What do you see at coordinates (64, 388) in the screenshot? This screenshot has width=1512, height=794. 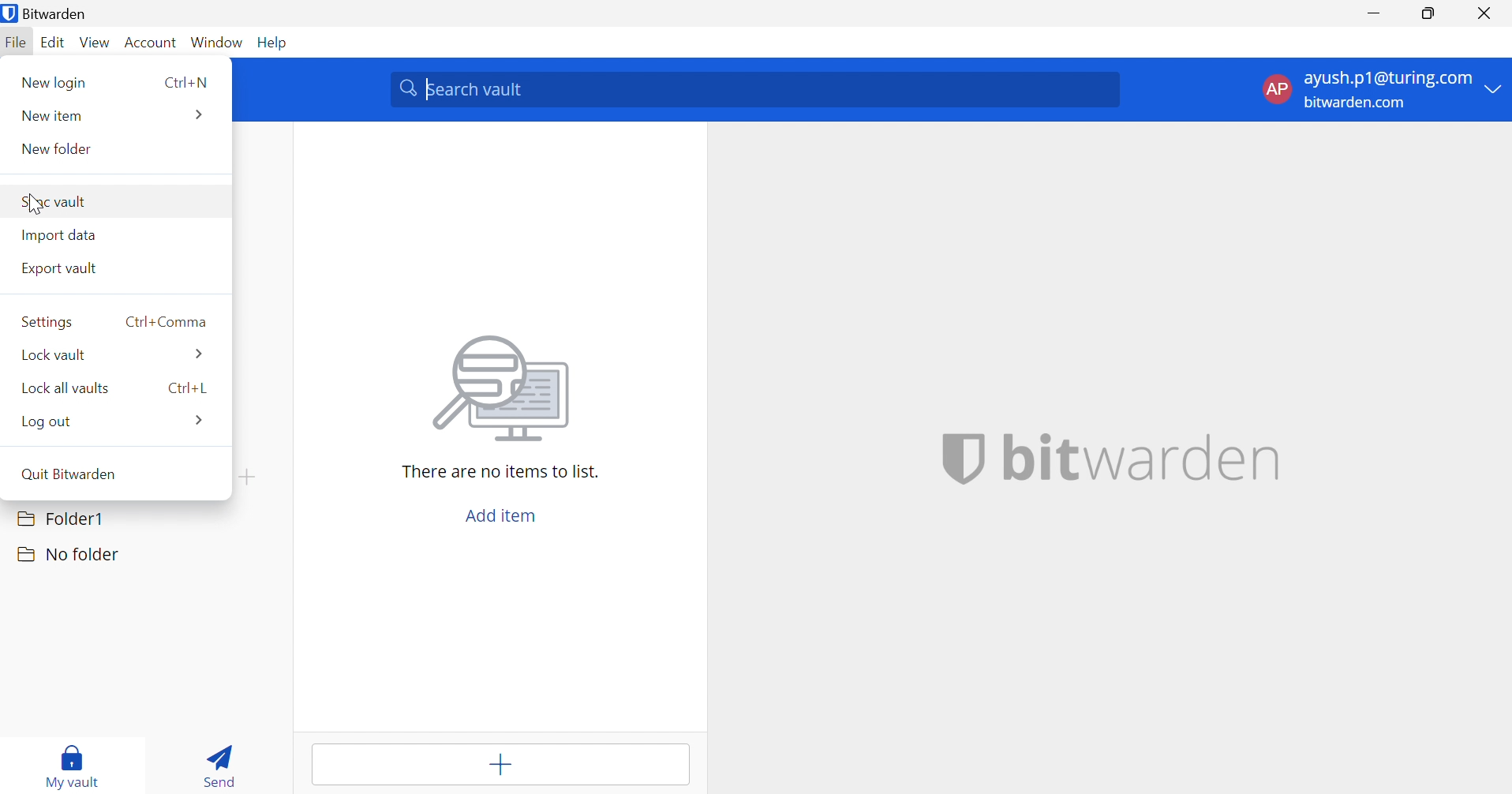 I see `Lock all vaults` at bounding box center [64, 388].